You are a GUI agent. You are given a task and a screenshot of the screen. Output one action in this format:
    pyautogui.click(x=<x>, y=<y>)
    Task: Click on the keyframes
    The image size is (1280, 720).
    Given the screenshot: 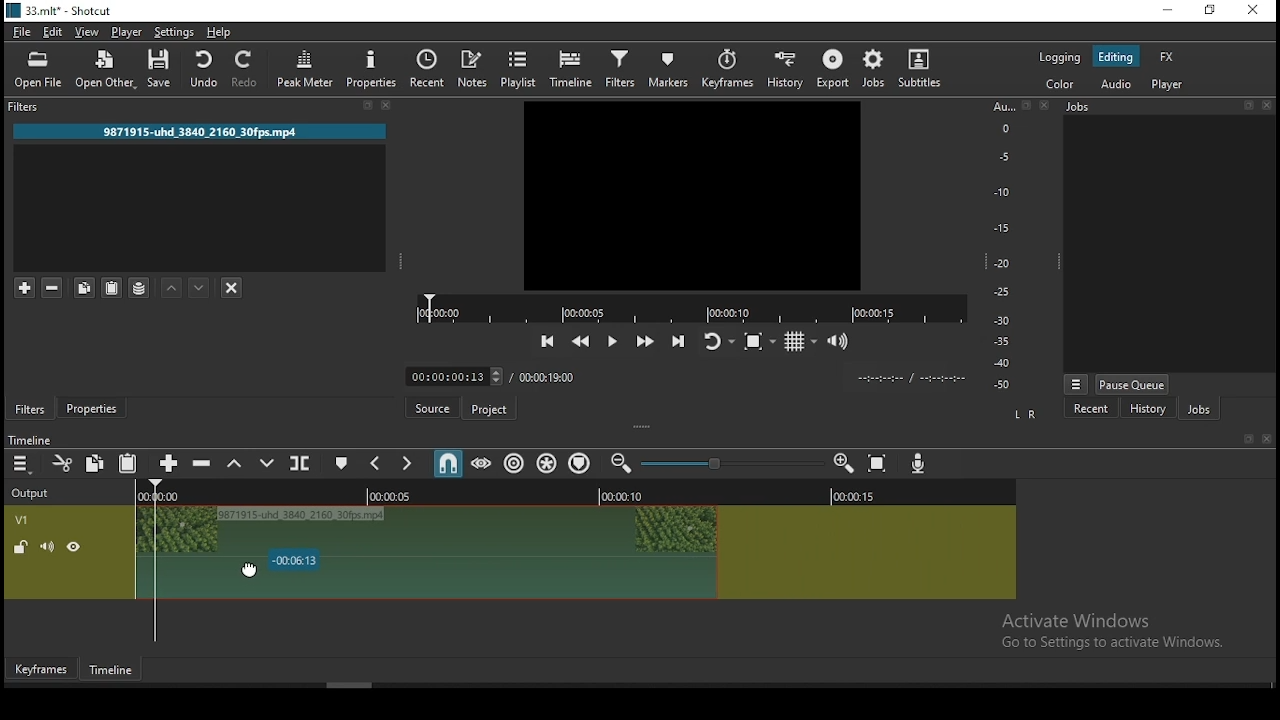 What is the action you would take?
    pyautogui.click(x=729, y=67)
    